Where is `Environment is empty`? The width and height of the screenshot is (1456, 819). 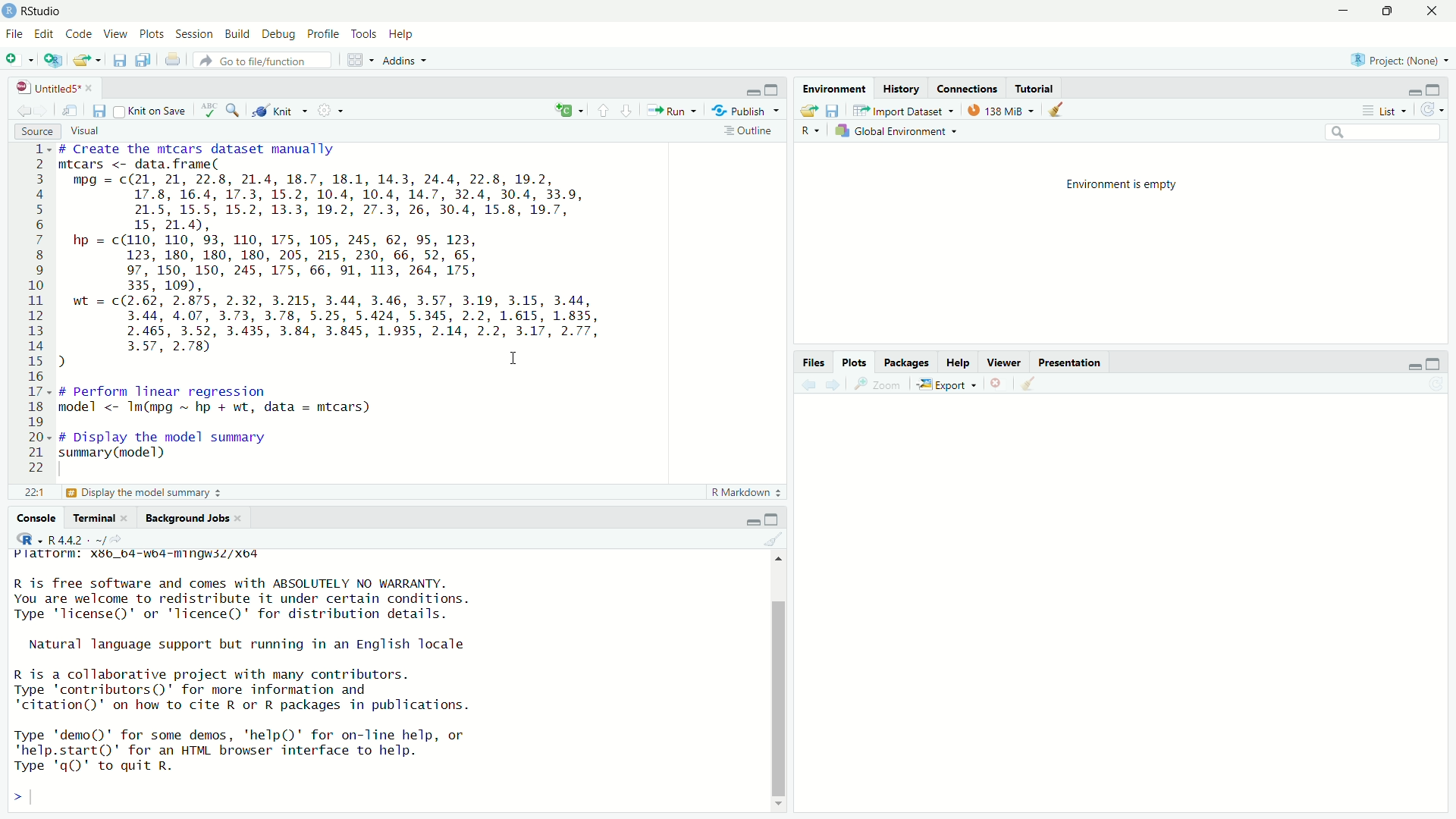
Environment is empty is located at coordinates (1123, 184).